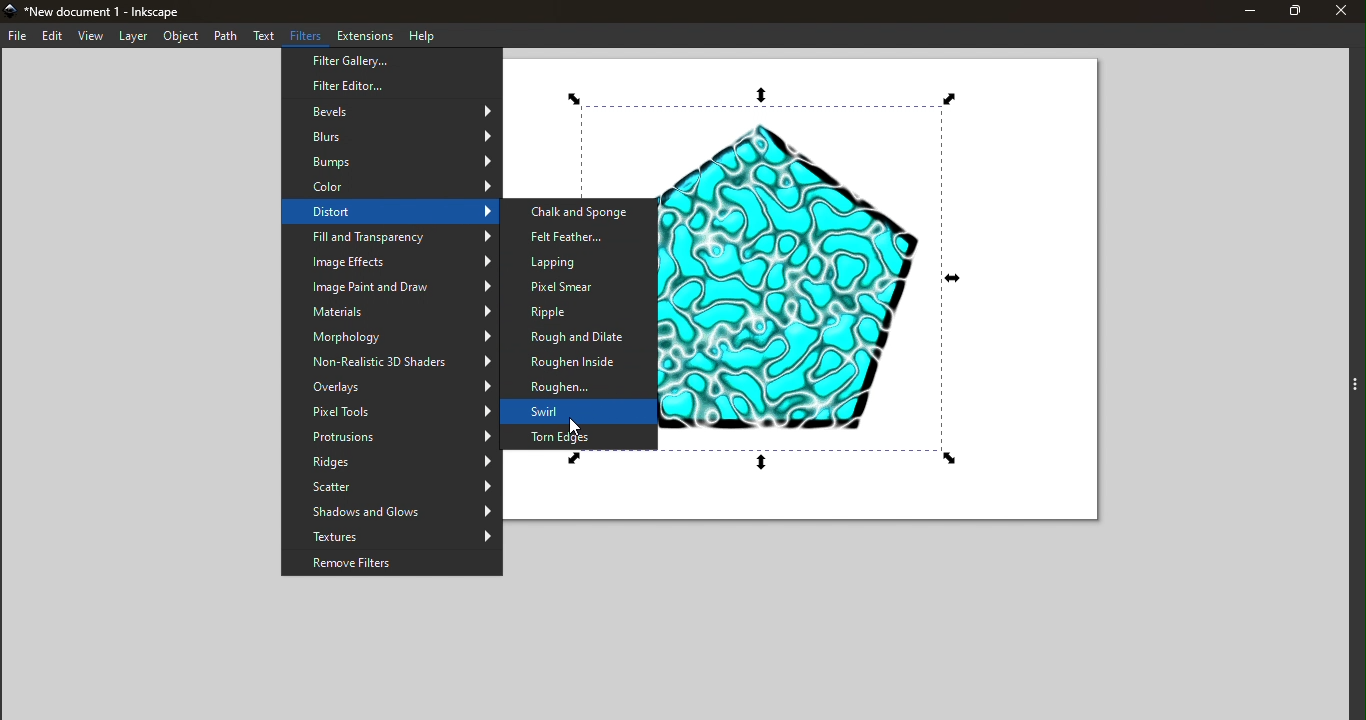 This screenshot has height=720, width=1366. What do you see at coordinates (392, 264) in the screenshot?
I see `Image Effects` at bounding box center [392, 264].